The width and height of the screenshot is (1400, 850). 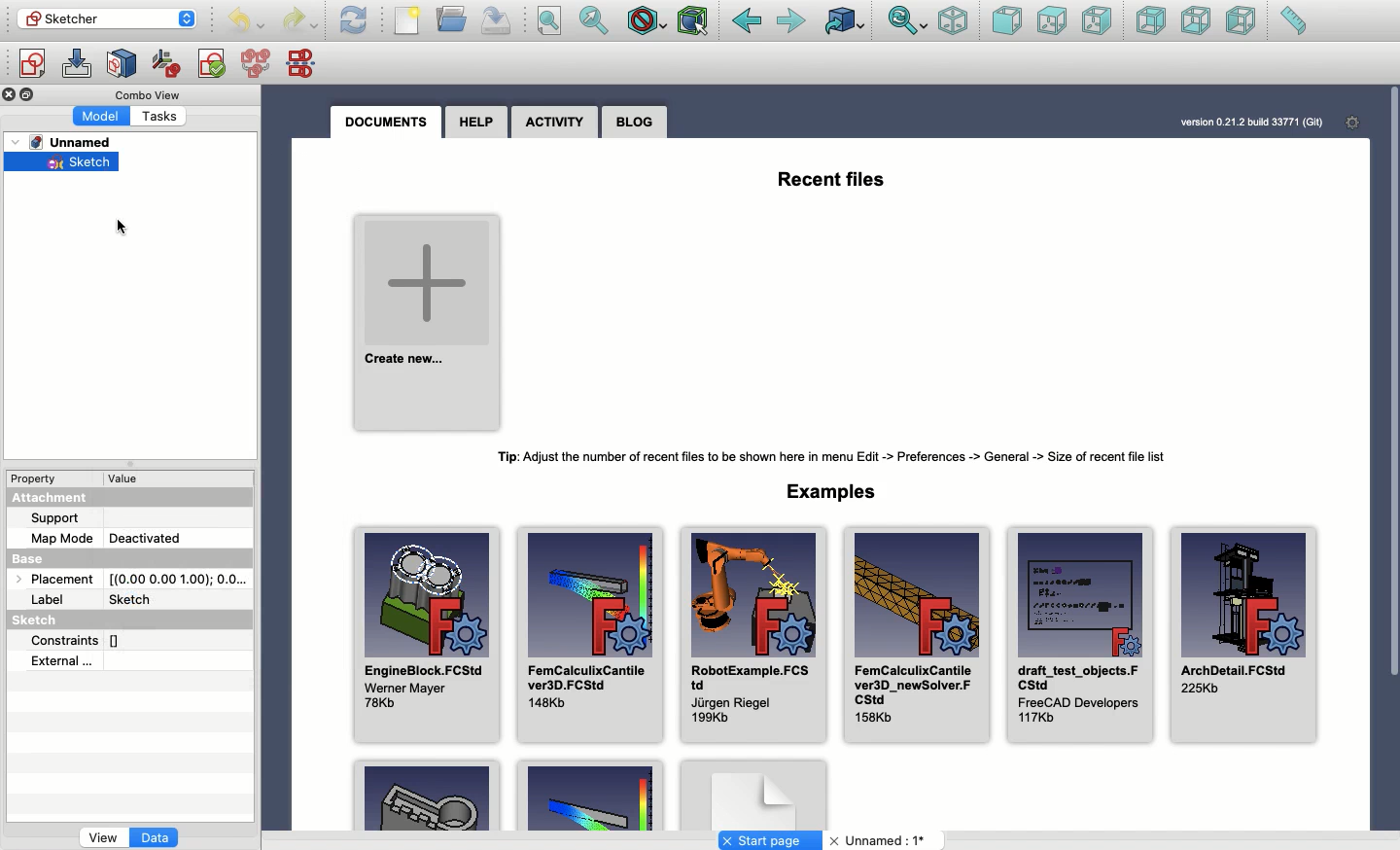 What do you see at coordinates (392, 123) in the screenshot?
I see `Documents` at bounding box center [392, 123].